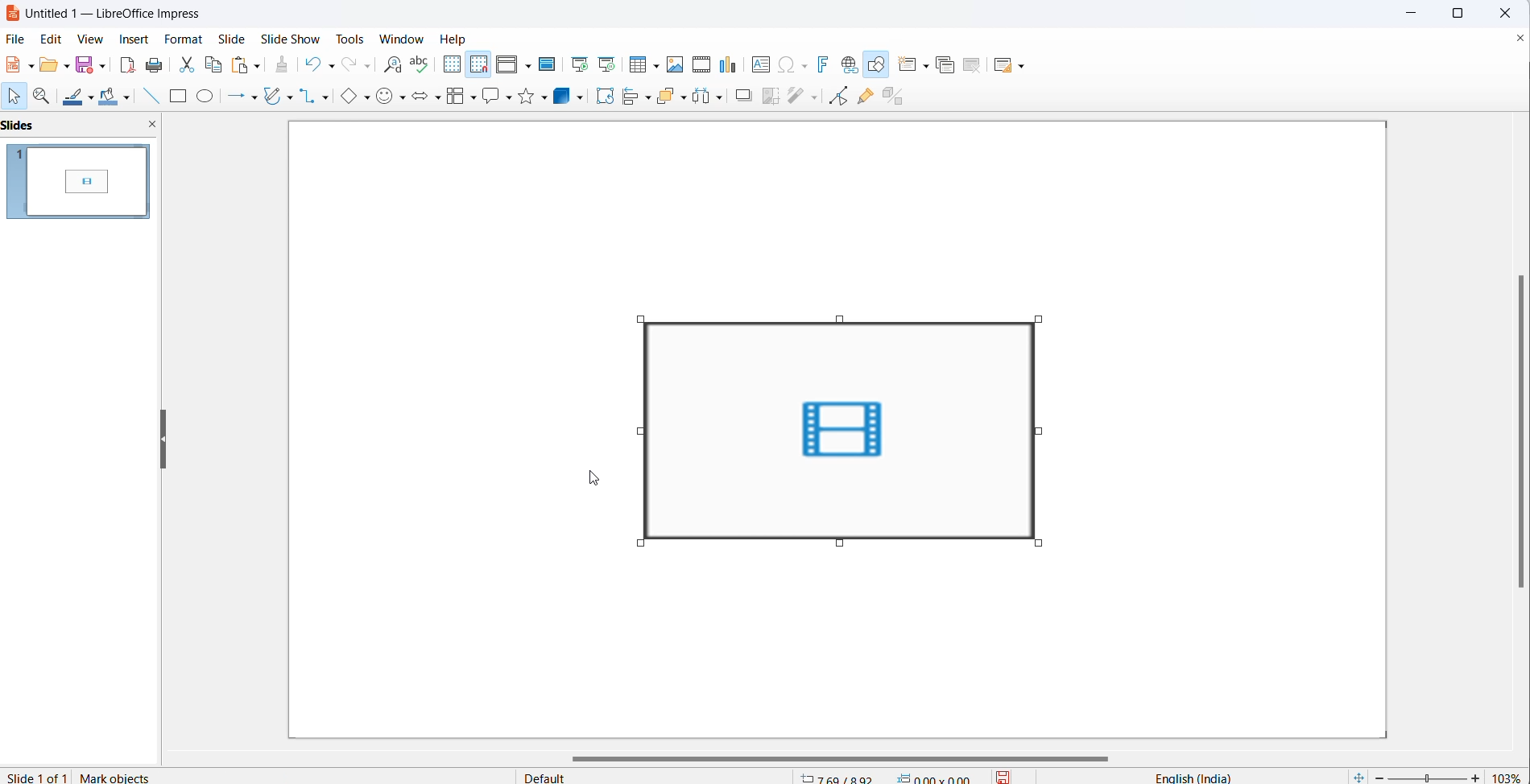 The image size is (1530, 784). I want to click on curve and polygons, so click(274, 95).